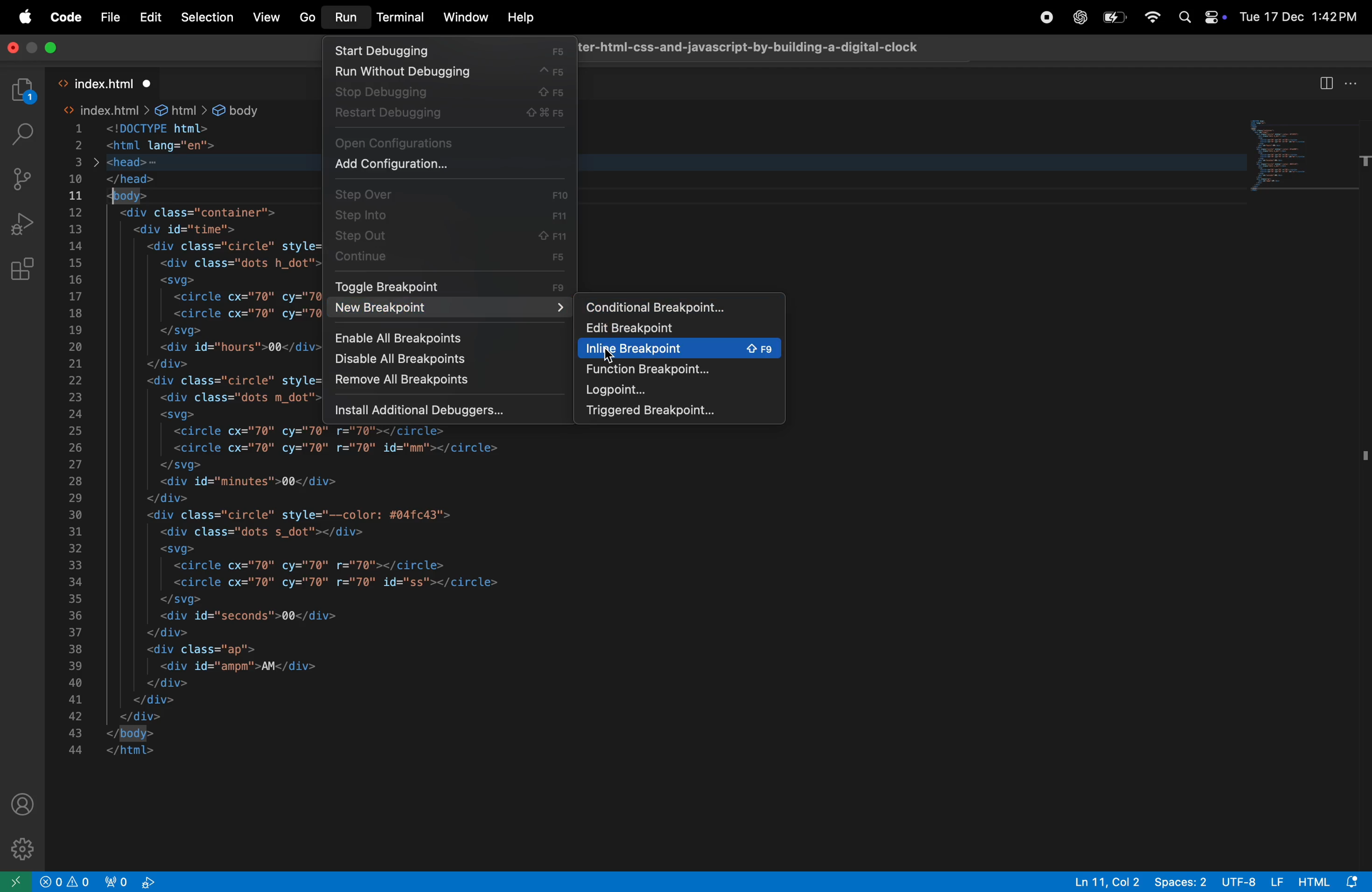  Describe the element at coordinates (22, 133) in the screenshot. I see `search` at that location.